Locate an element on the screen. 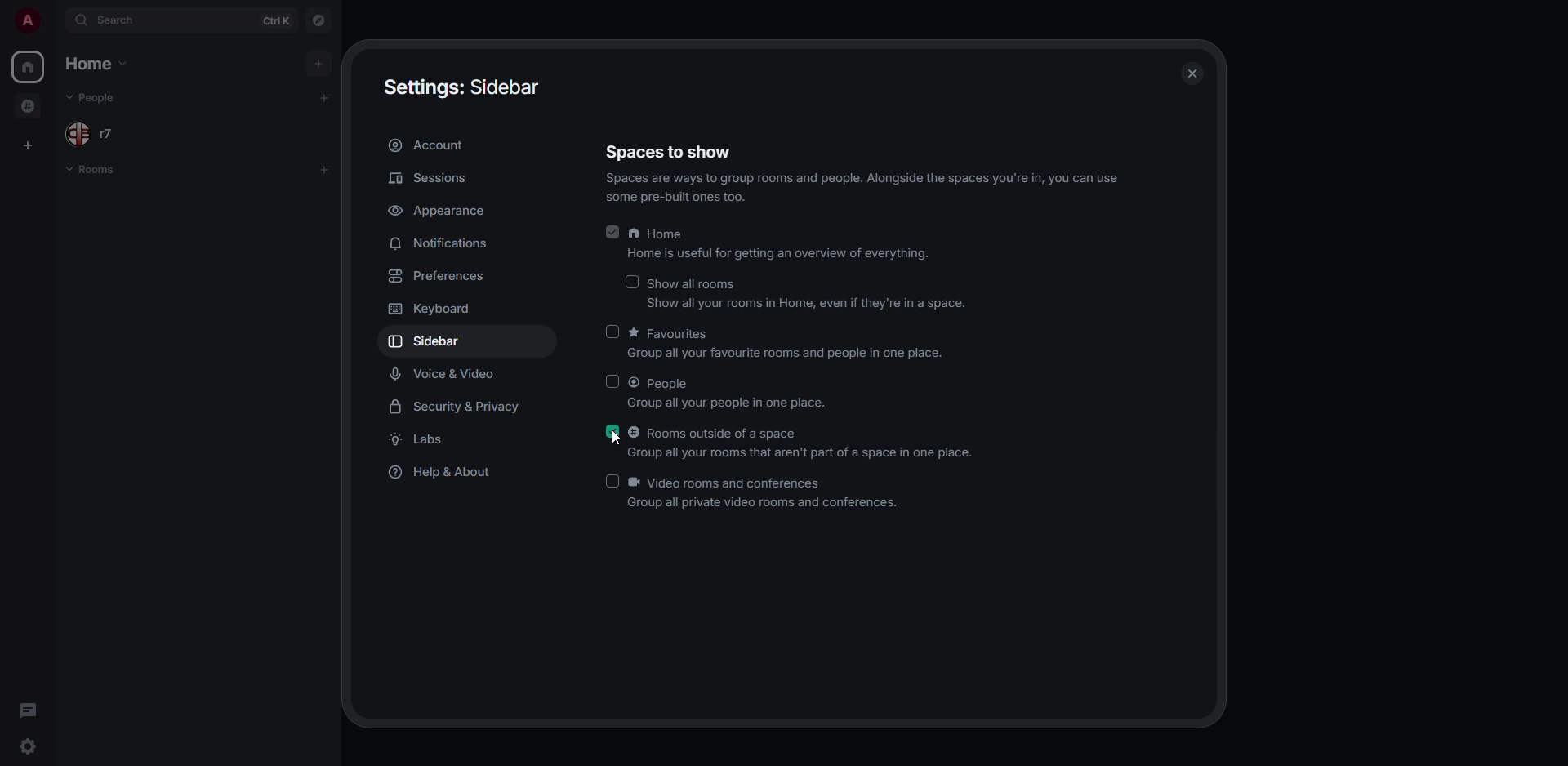 The width and height of the screenshot is (1568, 766). rooms outside of space is located at coordinates (27, 104).